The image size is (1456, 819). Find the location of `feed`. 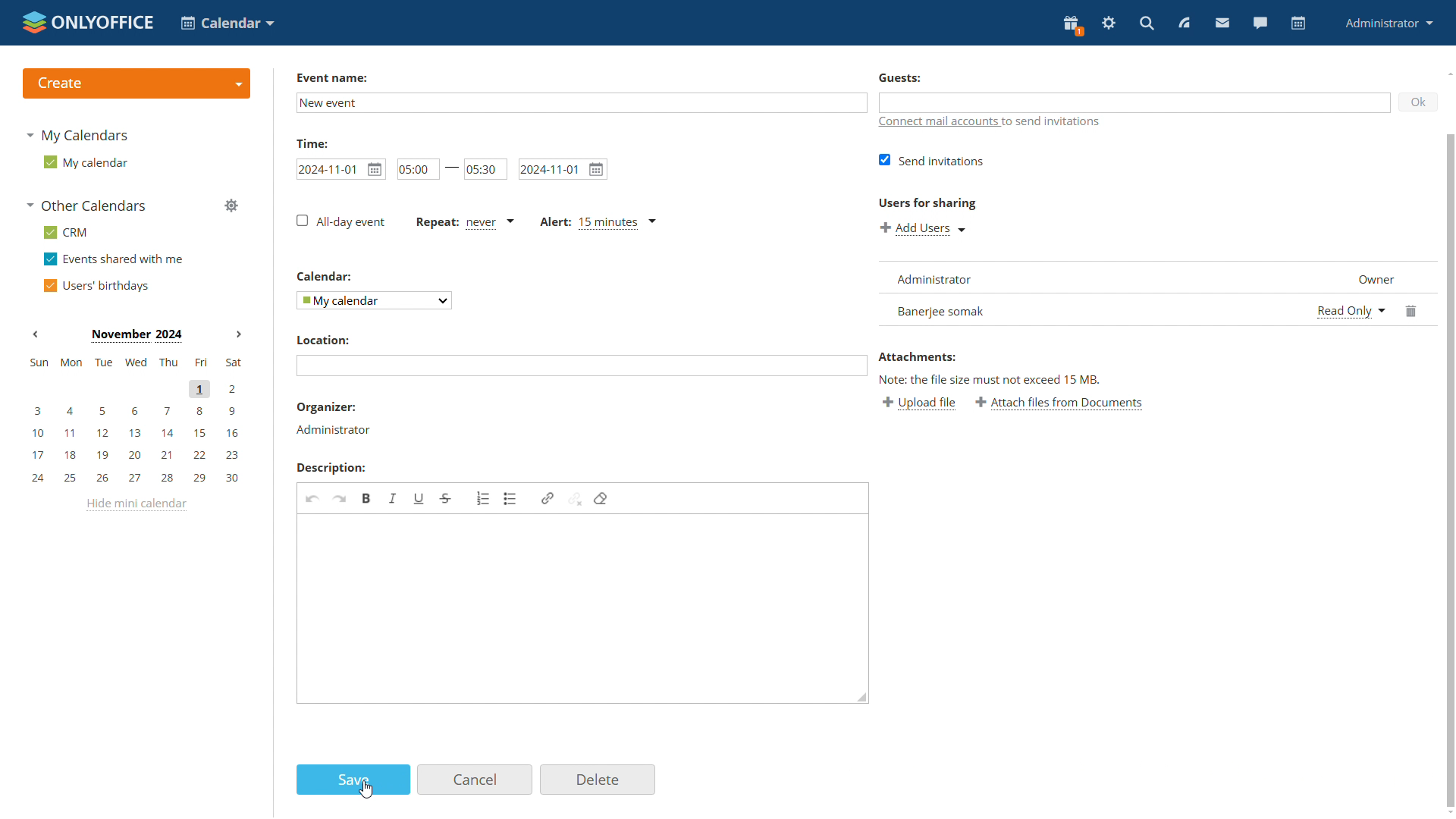

feed is located at coordinates (1182, 23).